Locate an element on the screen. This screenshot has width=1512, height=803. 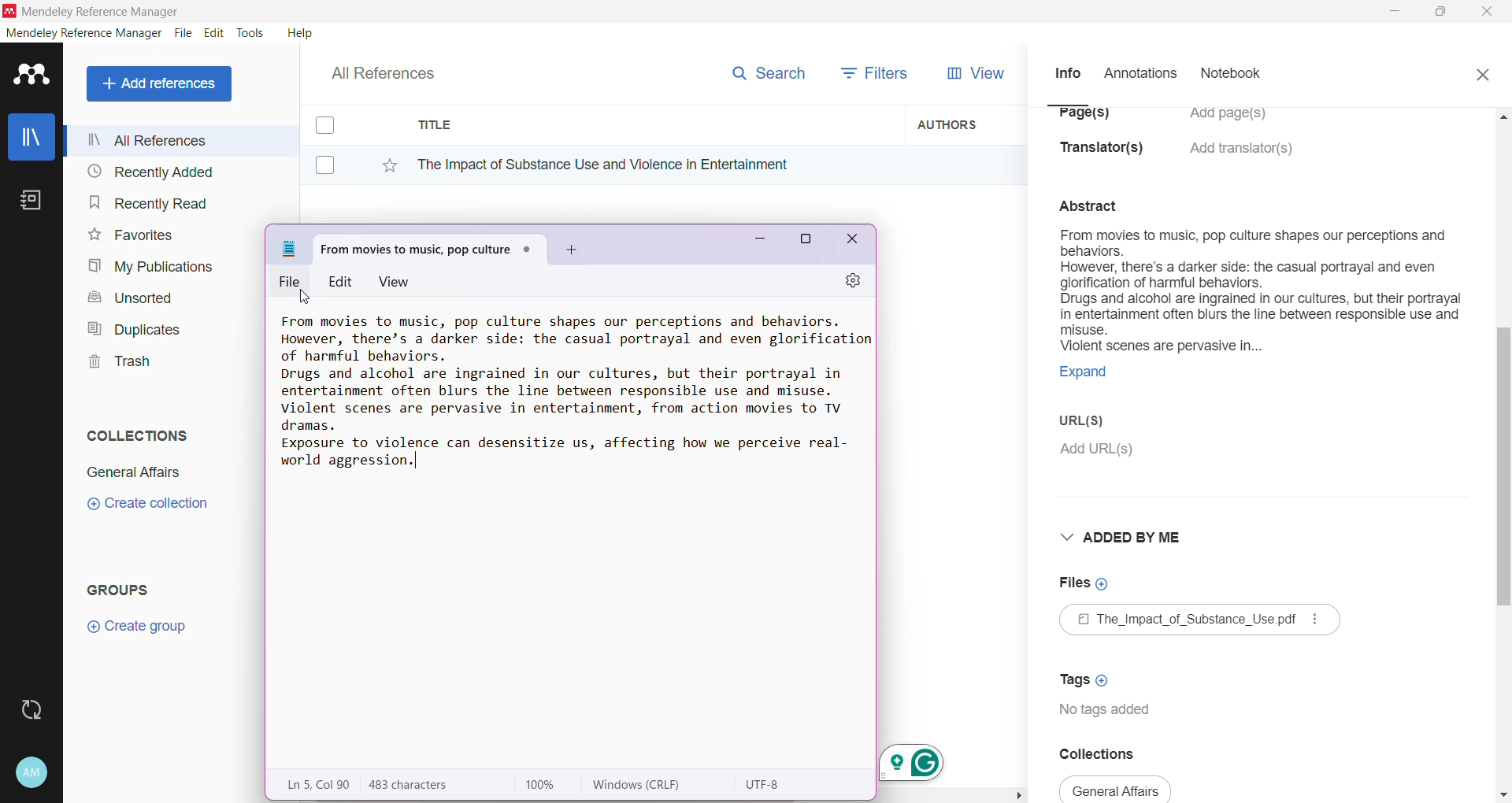
Tags available for the document is located at coordinates (1109, 712).